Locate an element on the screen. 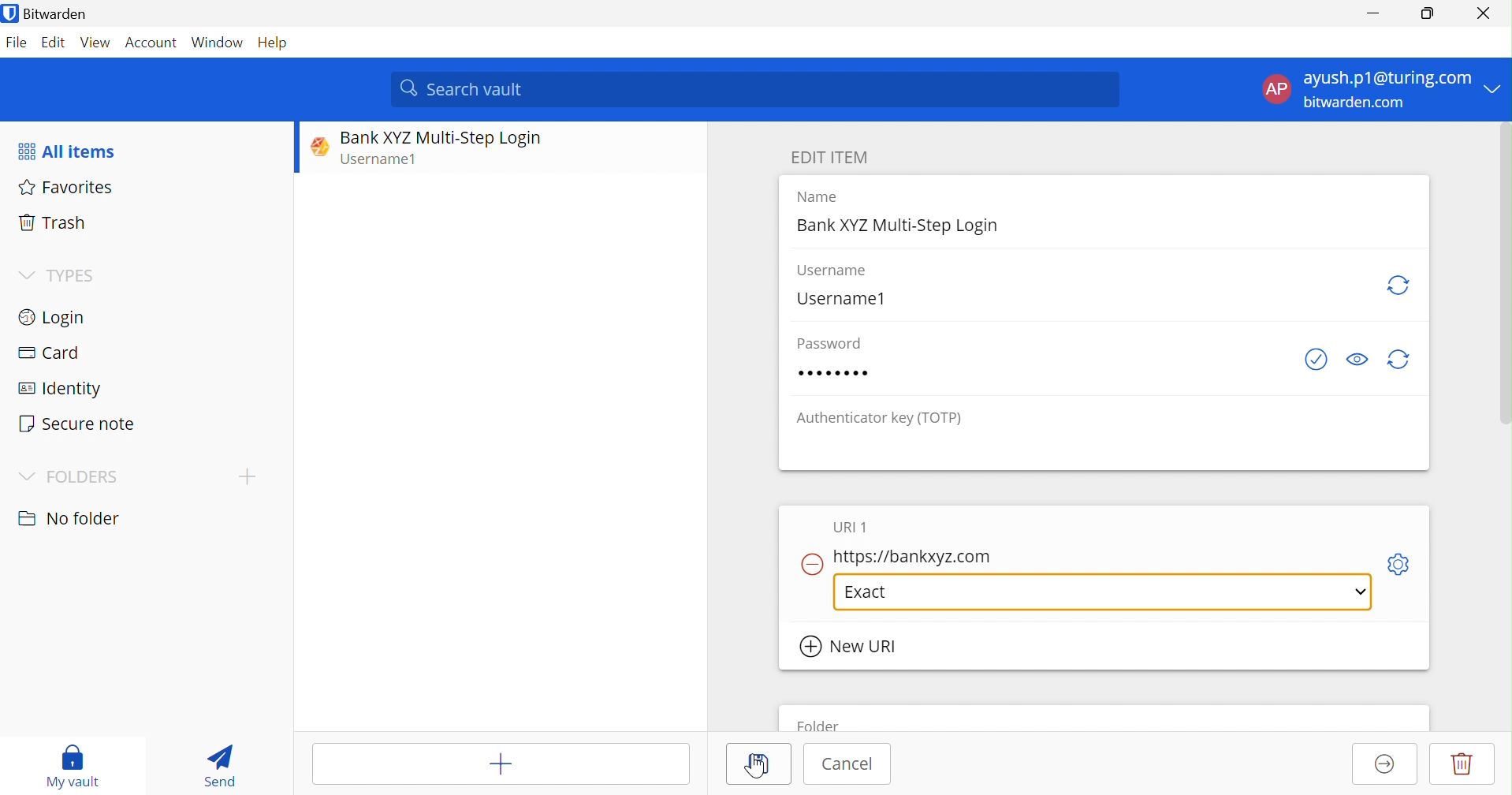 The height and width of the screenshot is (795, 1512). Restore Down is located at coordinates (1428, 11).